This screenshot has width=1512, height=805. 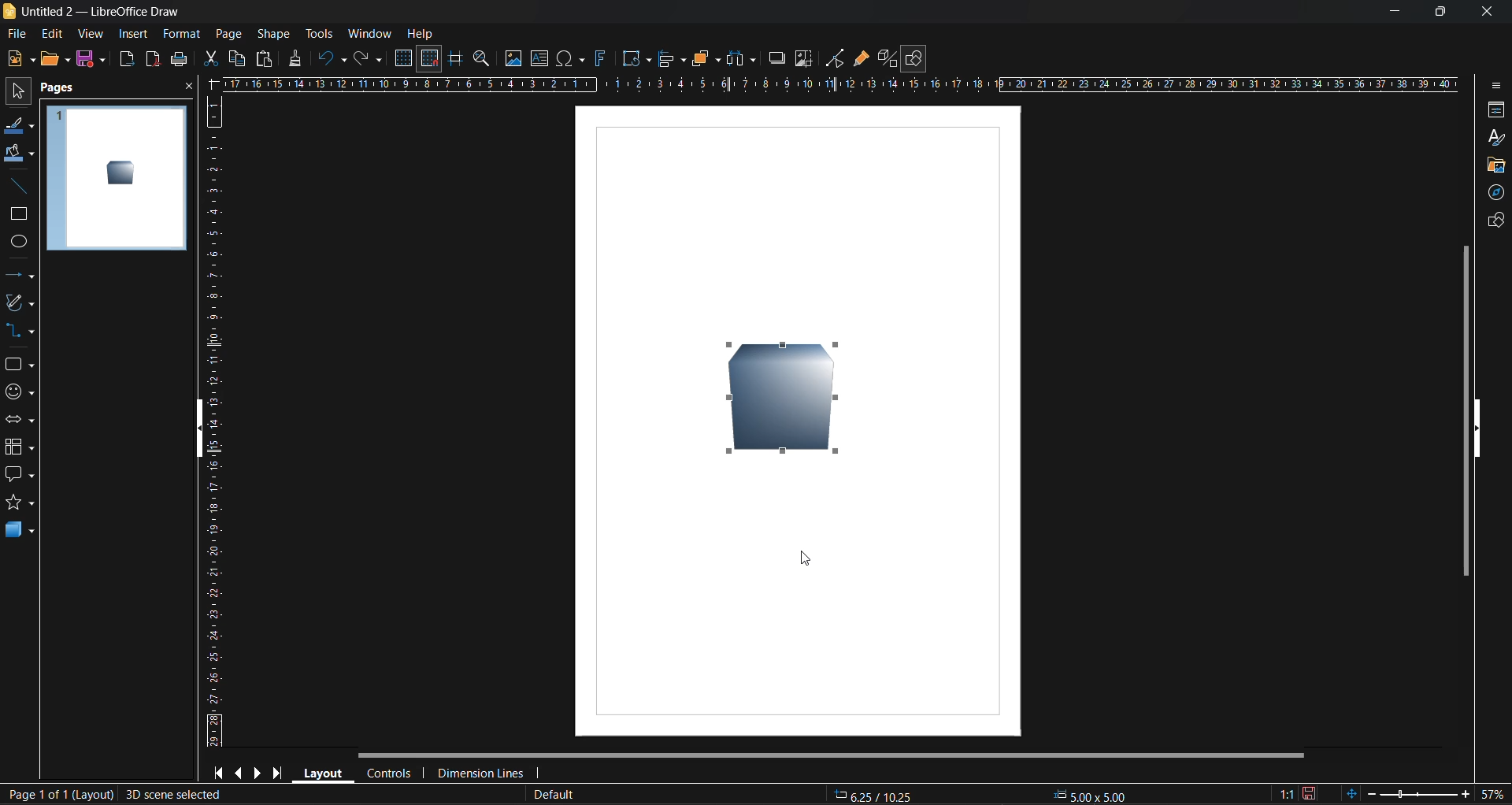 I want to click on dimension lines, so click(x=481, y=770).